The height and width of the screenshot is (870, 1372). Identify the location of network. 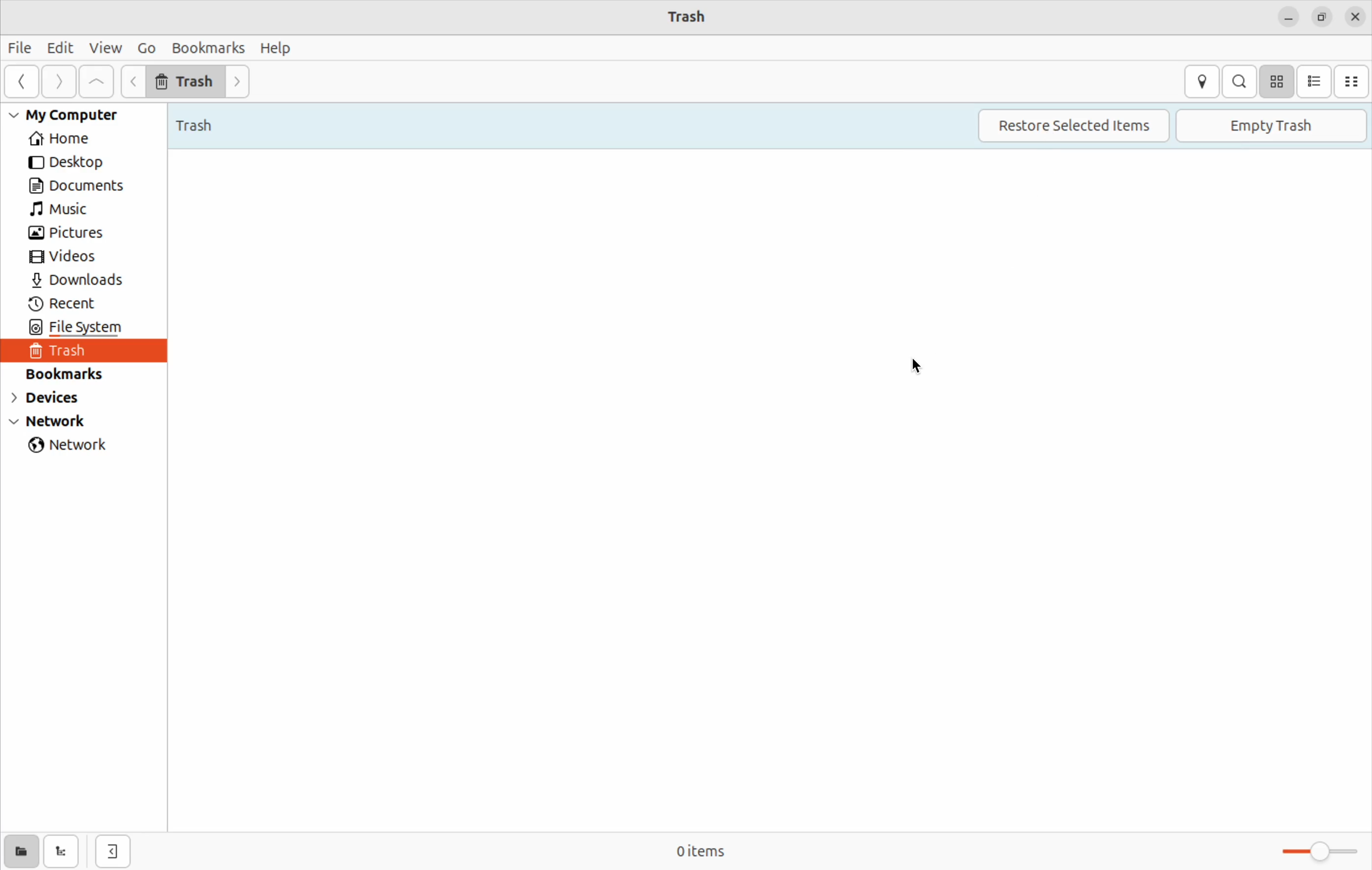
(74, 447).